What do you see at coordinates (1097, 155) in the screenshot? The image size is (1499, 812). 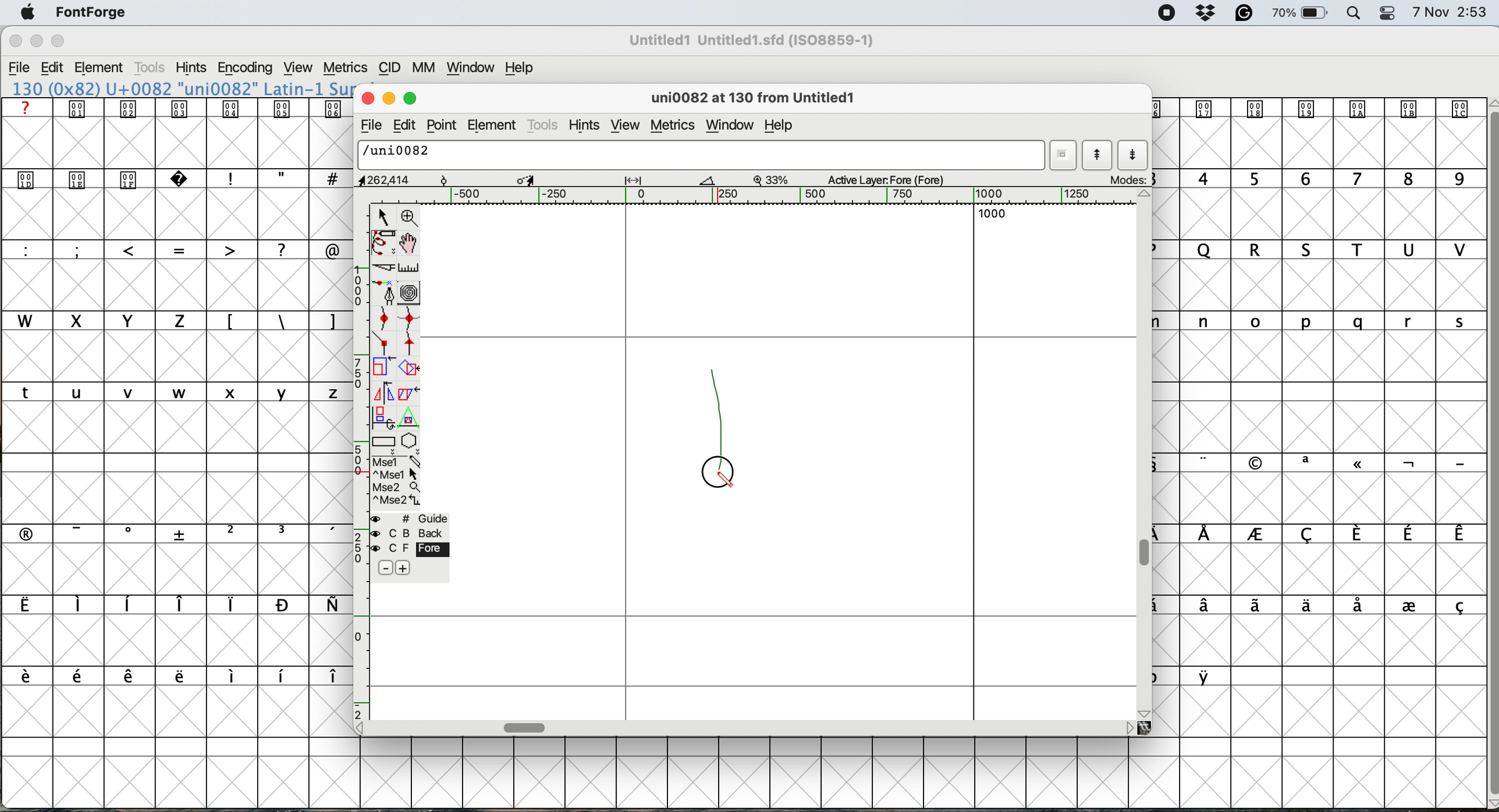 I see `show previous letter` at bounding box center [1097, 155].